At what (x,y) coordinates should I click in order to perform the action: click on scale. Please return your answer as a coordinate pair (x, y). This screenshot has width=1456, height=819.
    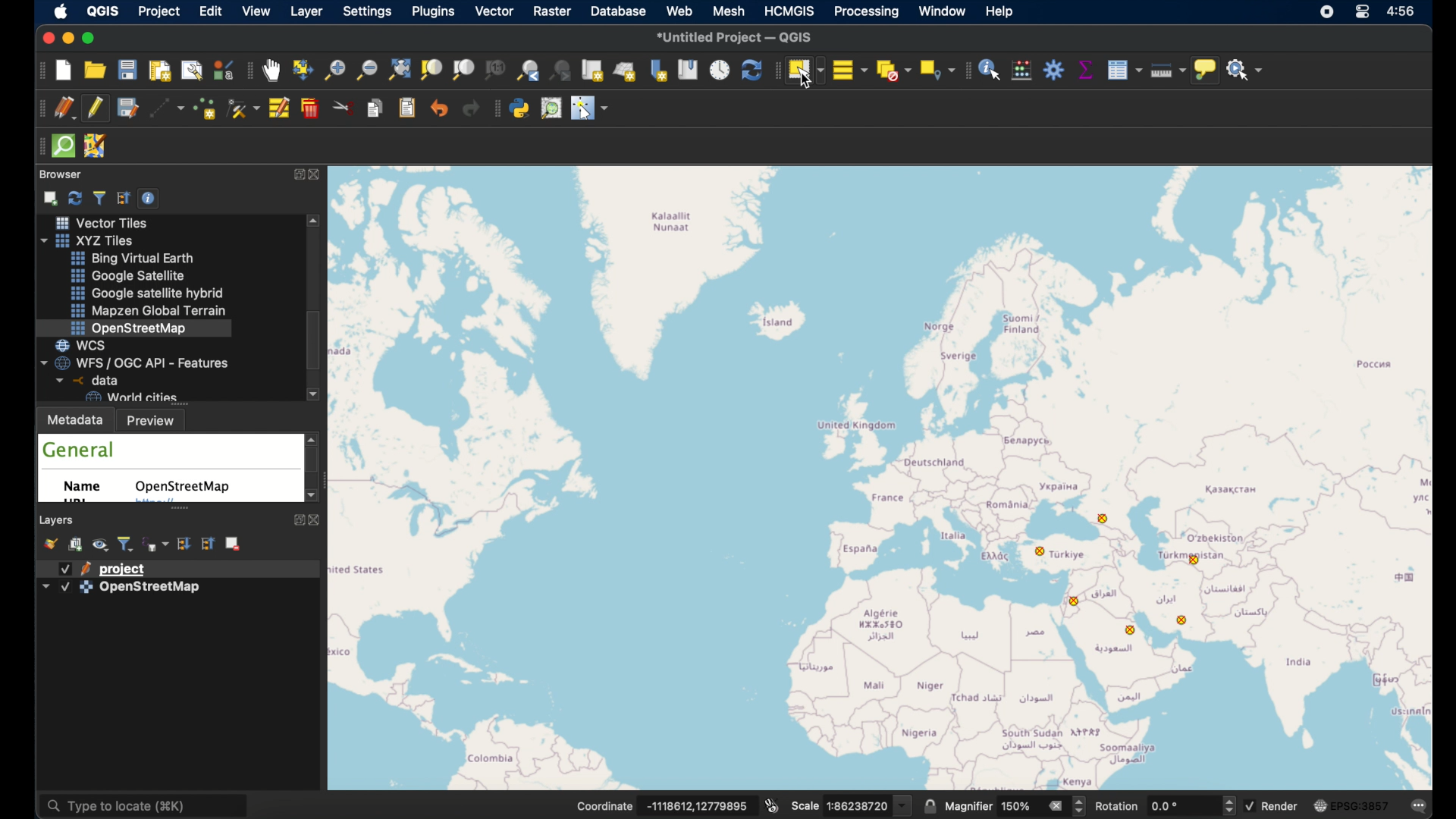
    Looking at the image, I should click on (804, 808).